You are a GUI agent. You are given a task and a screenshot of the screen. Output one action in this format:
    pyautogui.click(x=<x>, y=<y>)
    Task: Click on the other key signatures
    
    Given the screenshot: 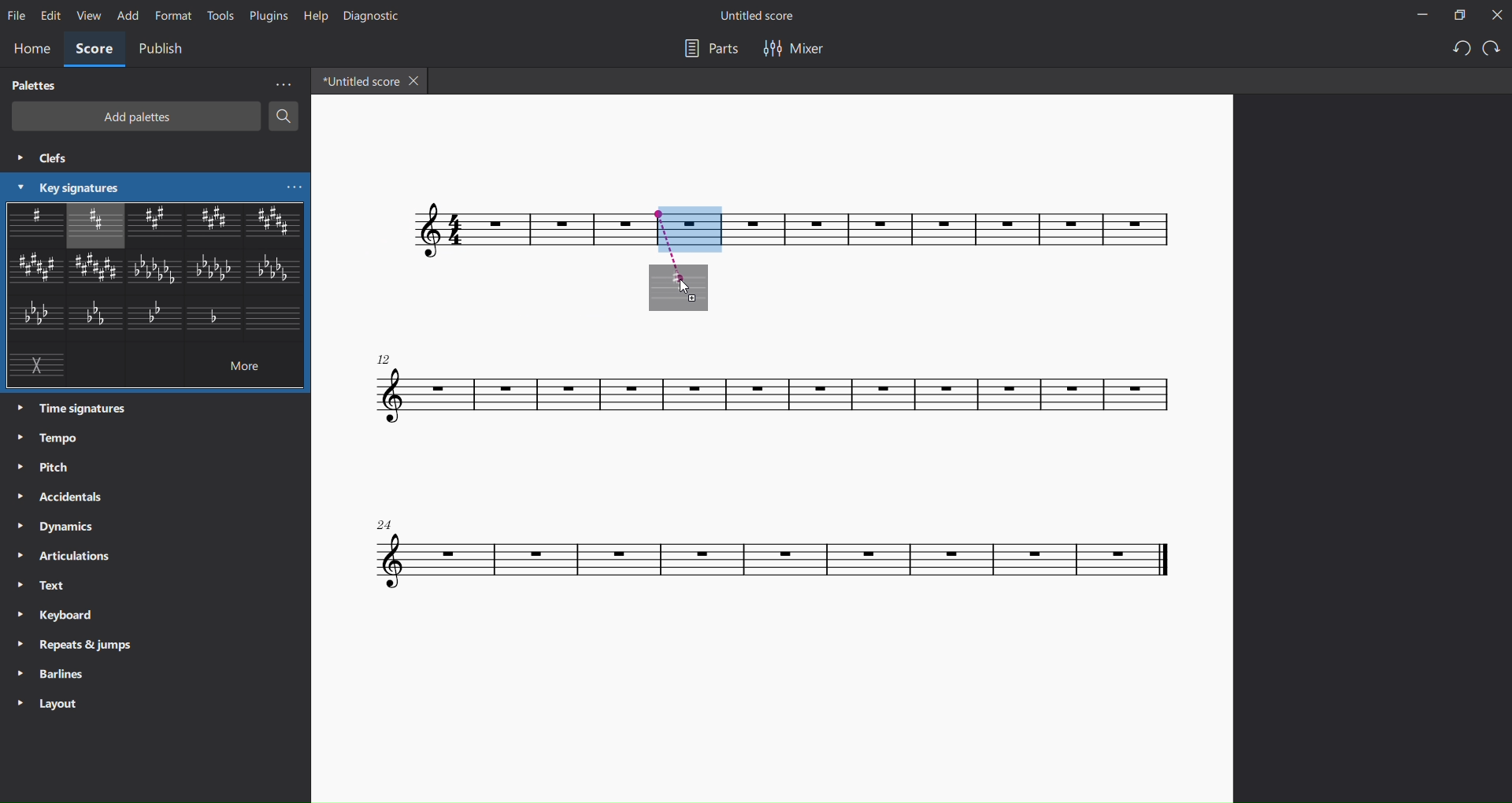 What is the action you would take?
    pyautogui.click(x=93, y=342)
    